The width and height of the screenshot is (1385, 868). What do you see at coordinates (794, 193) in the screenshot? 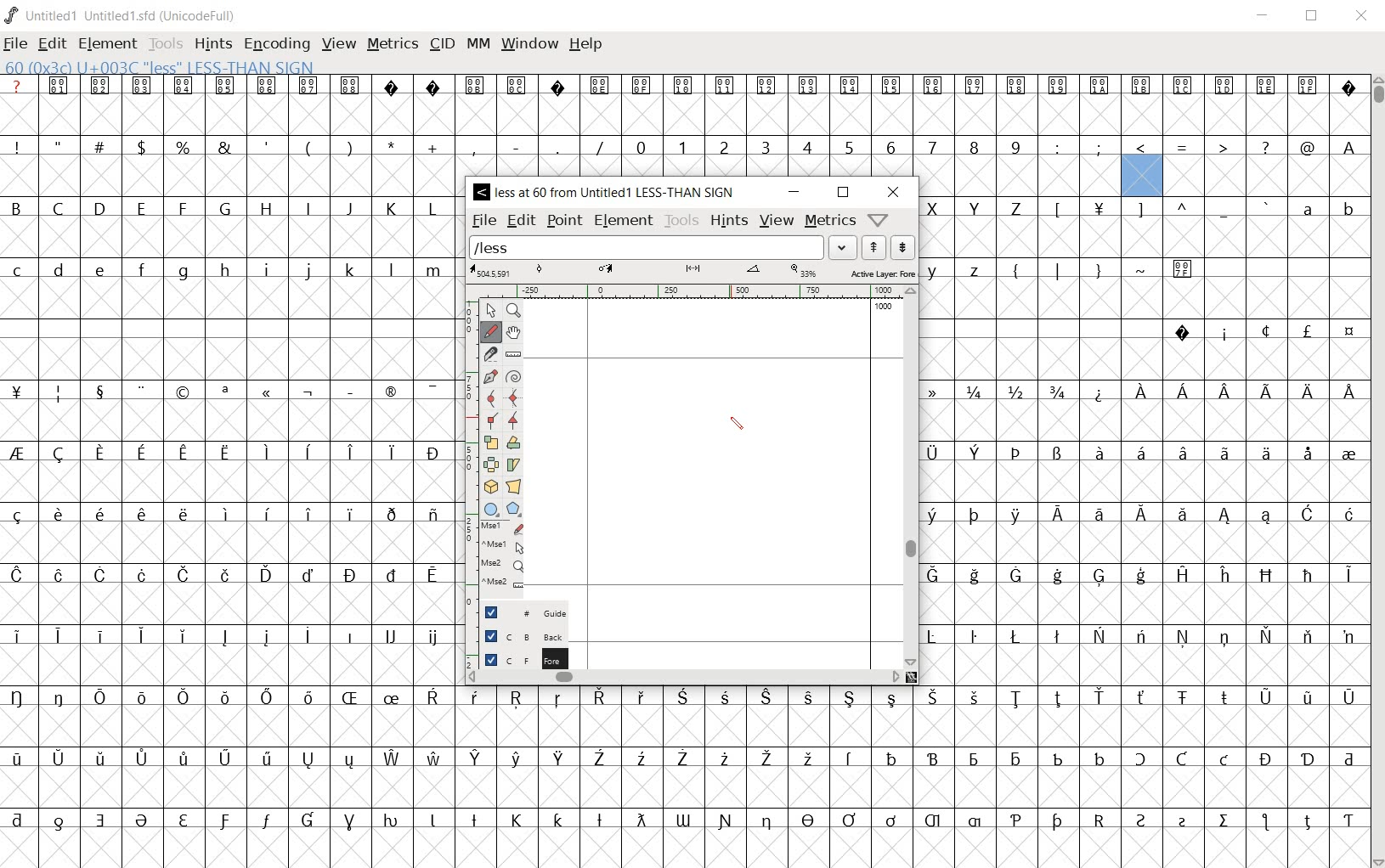
I see `minimize` at bounding box center [794, 193].